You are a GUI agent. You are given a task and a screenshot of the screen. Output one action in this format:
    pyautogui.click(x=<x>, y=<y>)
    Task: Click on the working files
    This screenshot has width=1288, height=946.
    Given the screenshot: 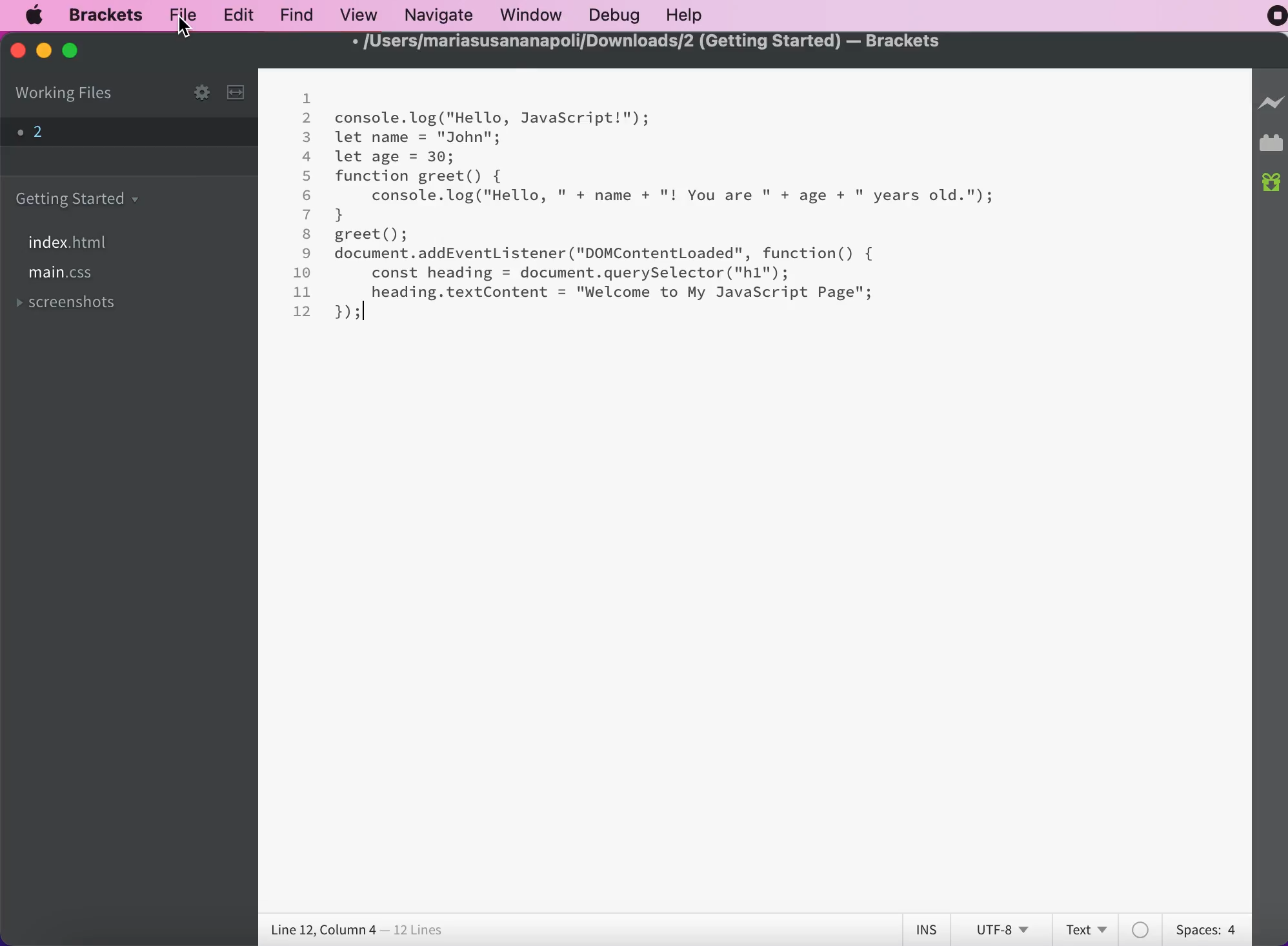 What is the action you would take?
    pyautogui.click(x=66, y=94)
    